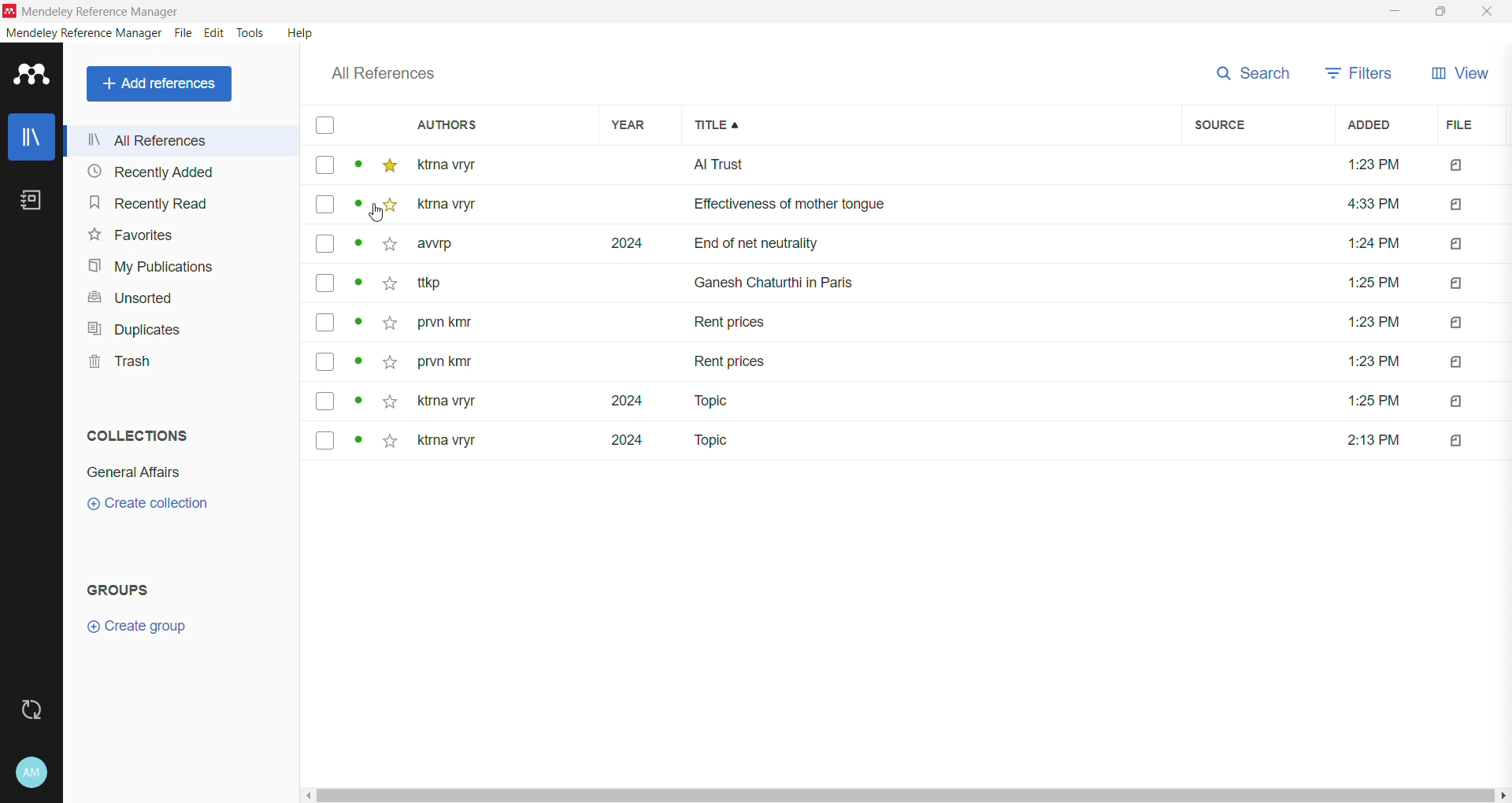 The width and height of the screenshot is (1512, 803). Describe the element at coordinates (388, 213) in the screenshot. I see `cursor on star` at that location.